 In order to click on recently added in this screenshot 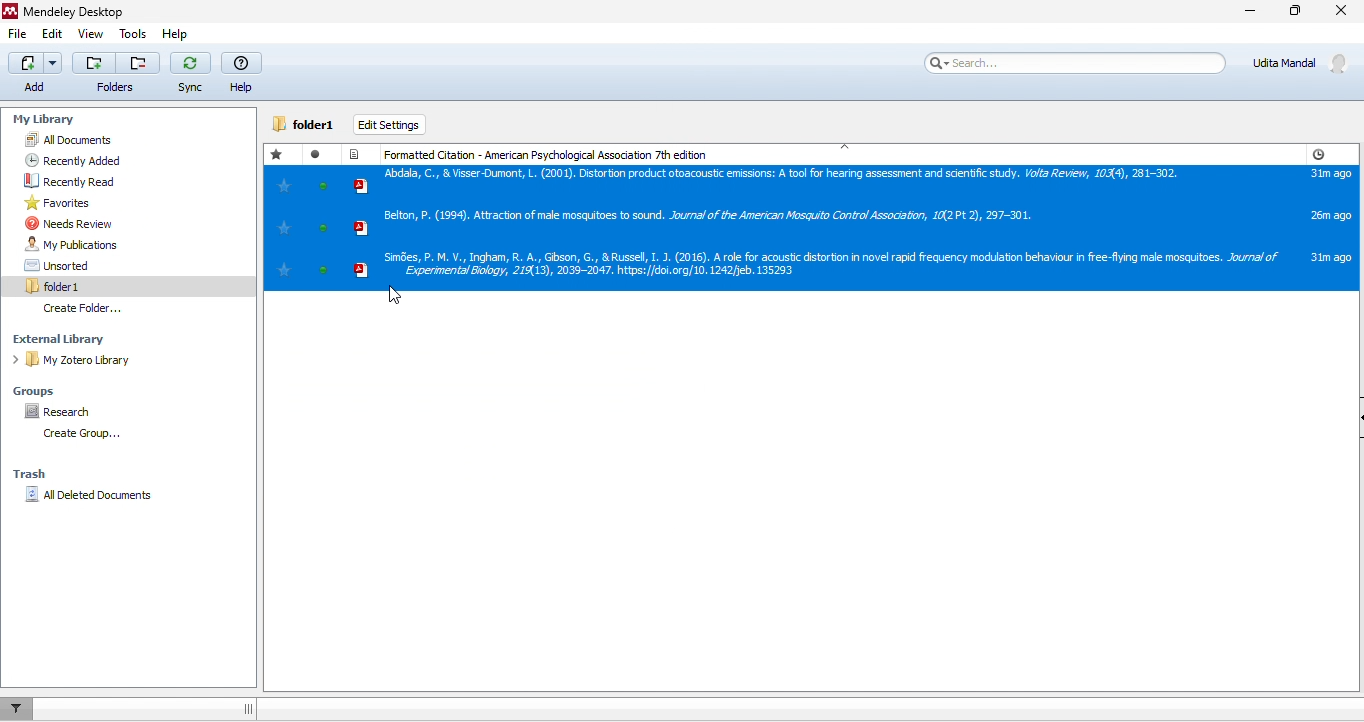, I will do `click(66, 160)`.